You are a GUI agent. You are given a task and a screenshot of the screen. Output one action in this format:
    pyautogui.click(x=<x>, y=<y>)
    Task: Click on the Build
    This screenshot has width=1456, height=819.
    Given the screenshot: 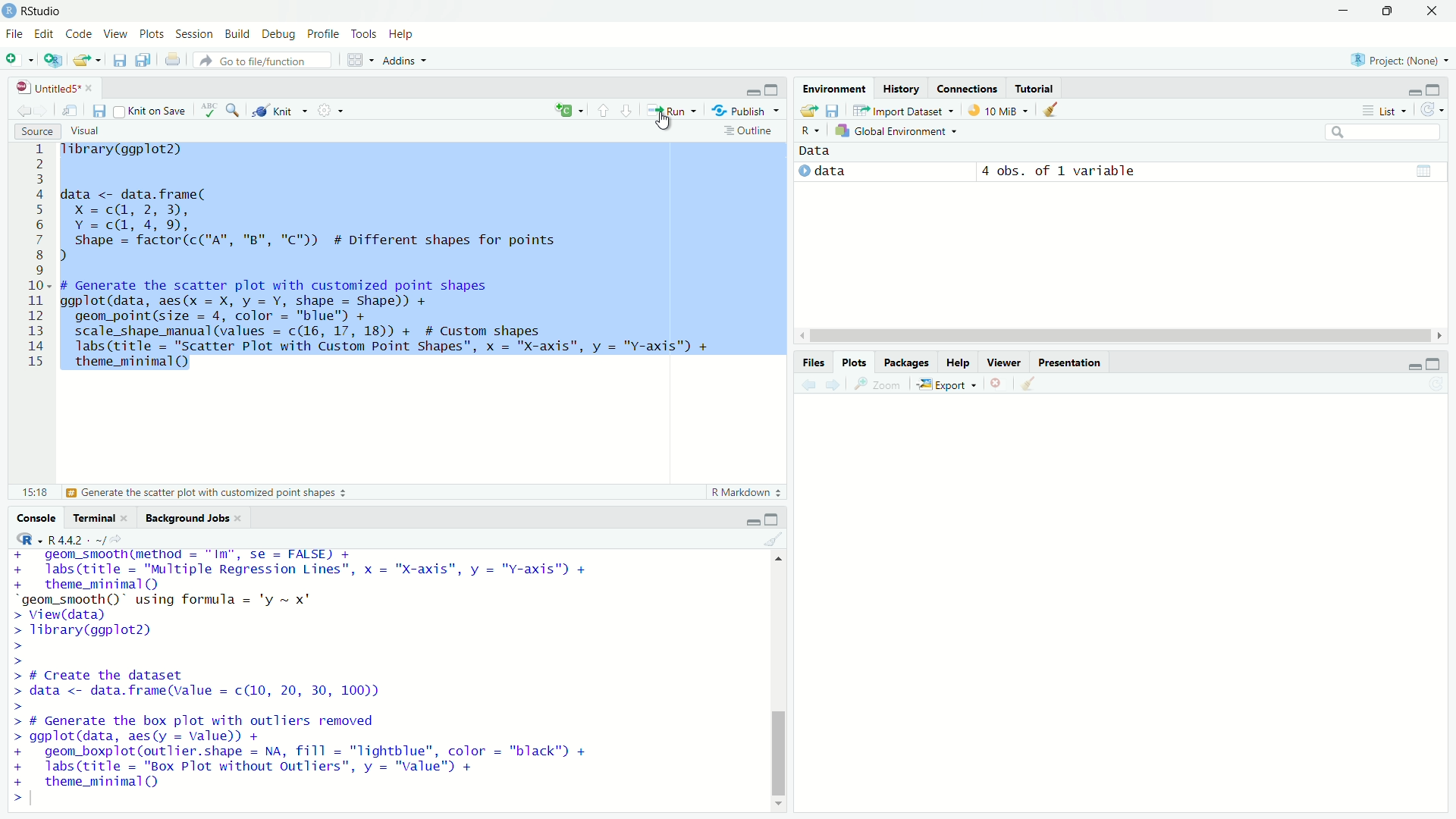 What is the action you would take?
    pyautogui.click(x=237, y=33)
    